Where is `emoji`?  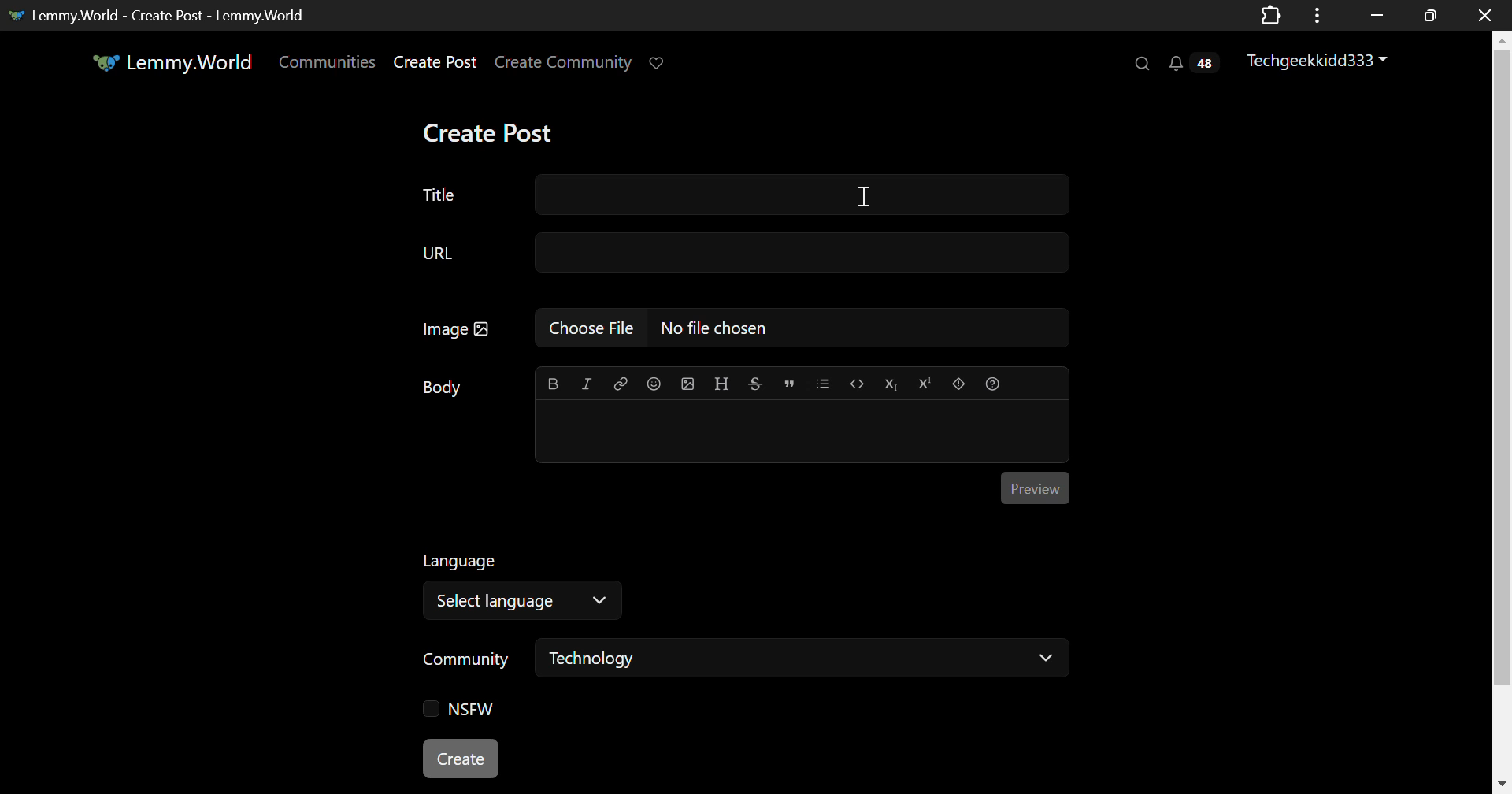
emoji is located at coordinates (653, 384).